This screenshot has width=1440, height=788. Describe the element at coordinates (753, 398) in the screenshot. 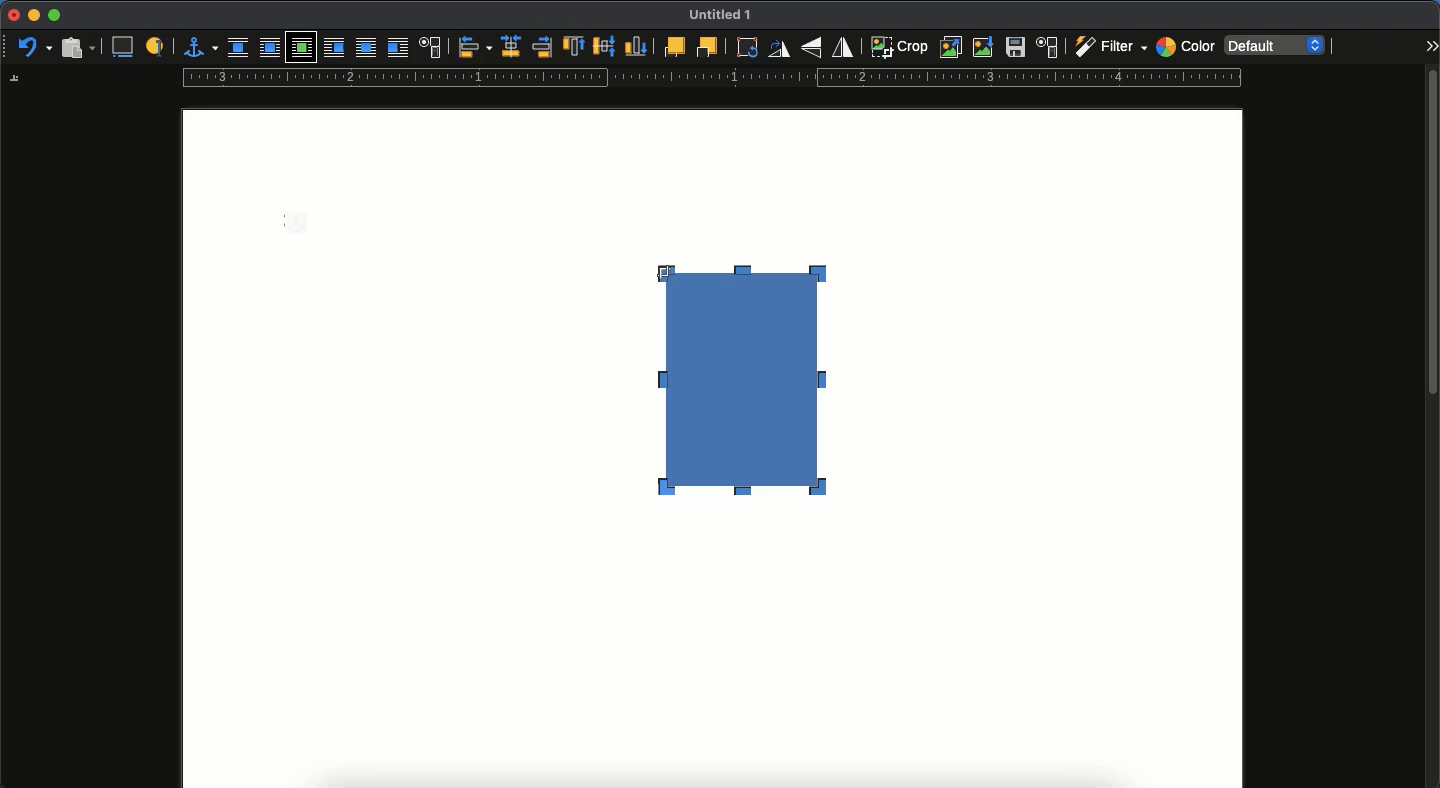

I see `image` at that location.